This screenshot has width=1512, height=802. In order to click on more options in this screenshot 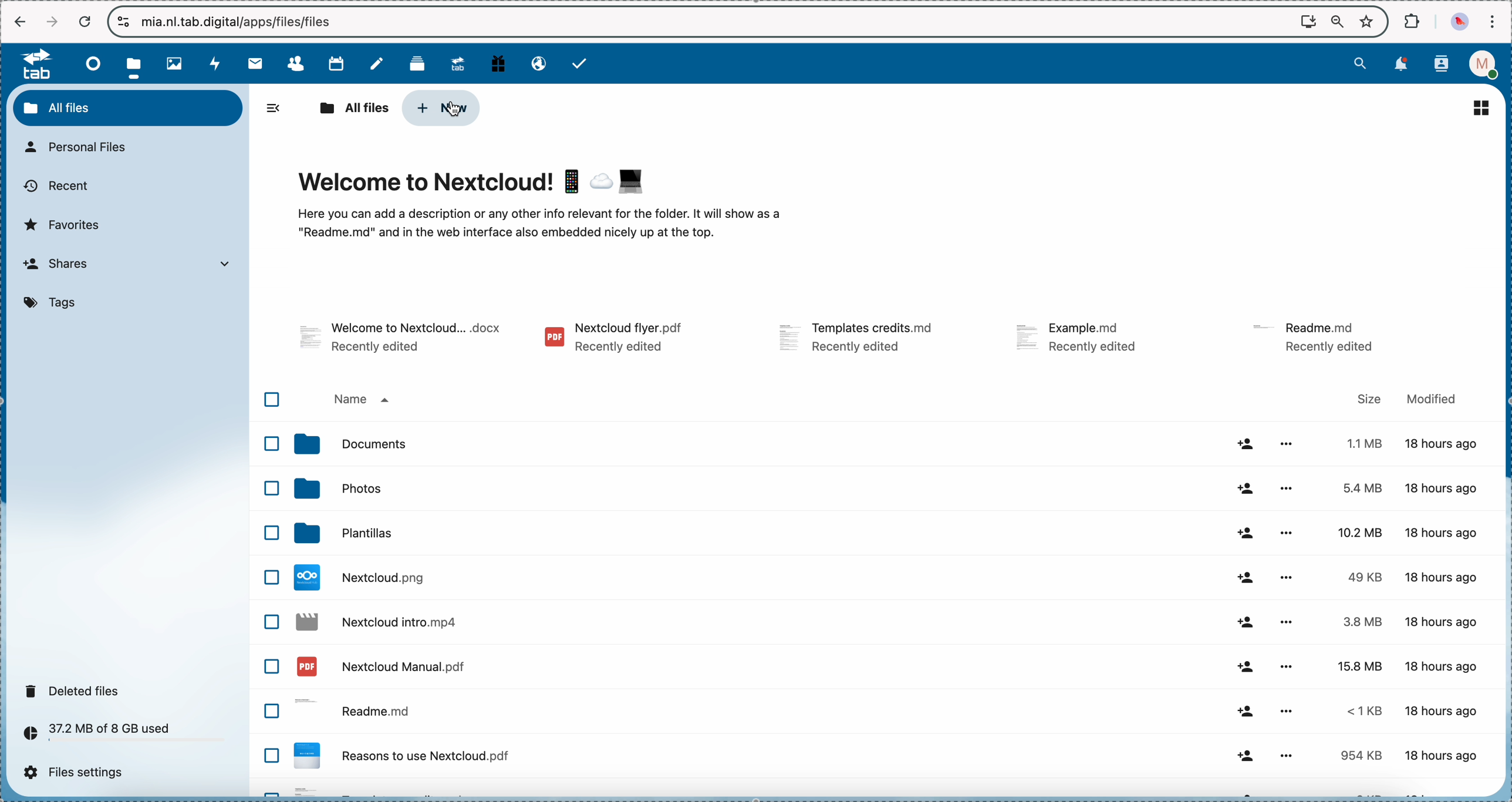, I will do `click(1287, 489)`.